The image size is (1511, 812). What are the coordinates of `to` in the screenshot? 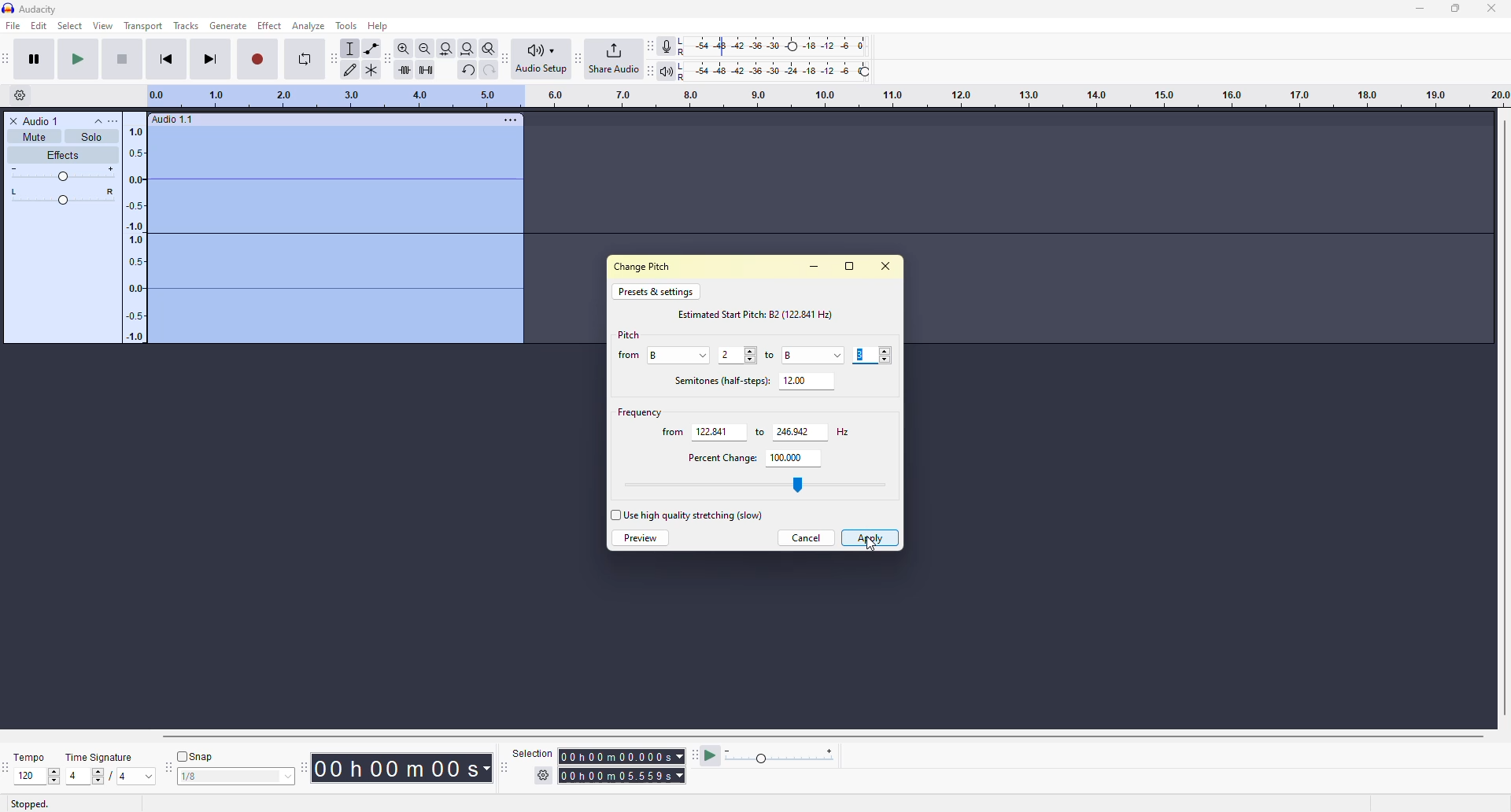 It's located at (771, 356).